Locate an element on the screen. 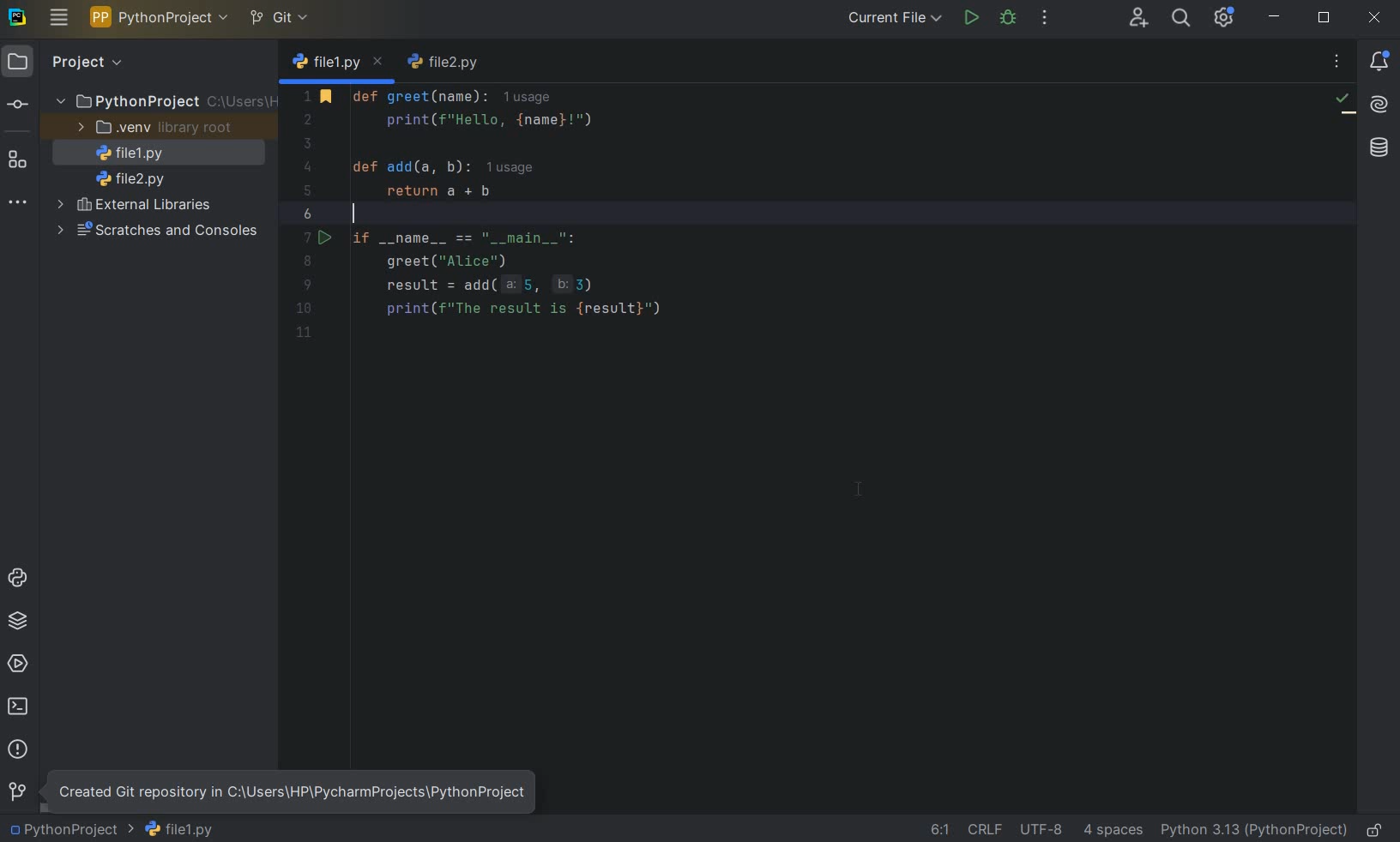  file name 1 is located at coordinates (338, 63).